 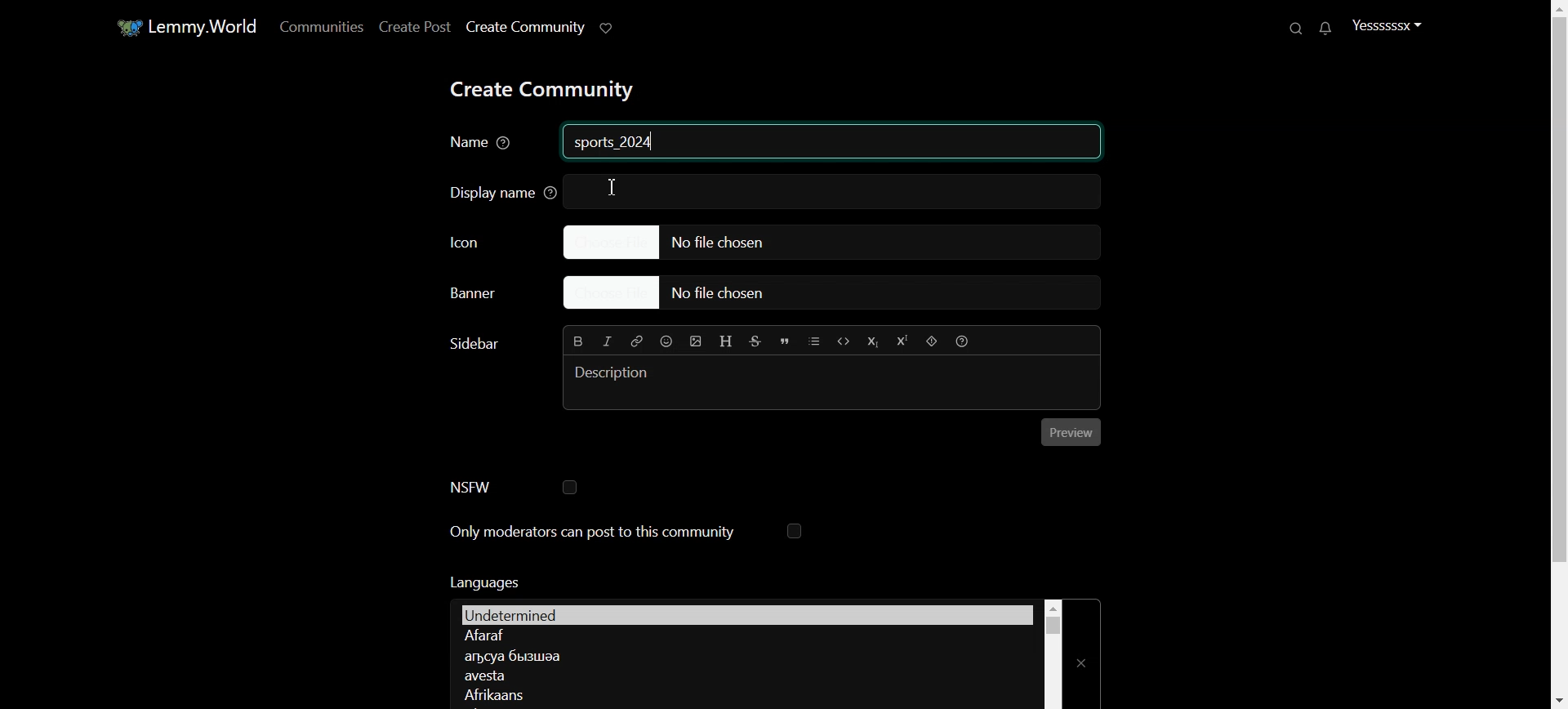 What do you see at coordinates (871, 341) in the screenshot?
I see `Subscript` at bounding box center [871, 341].